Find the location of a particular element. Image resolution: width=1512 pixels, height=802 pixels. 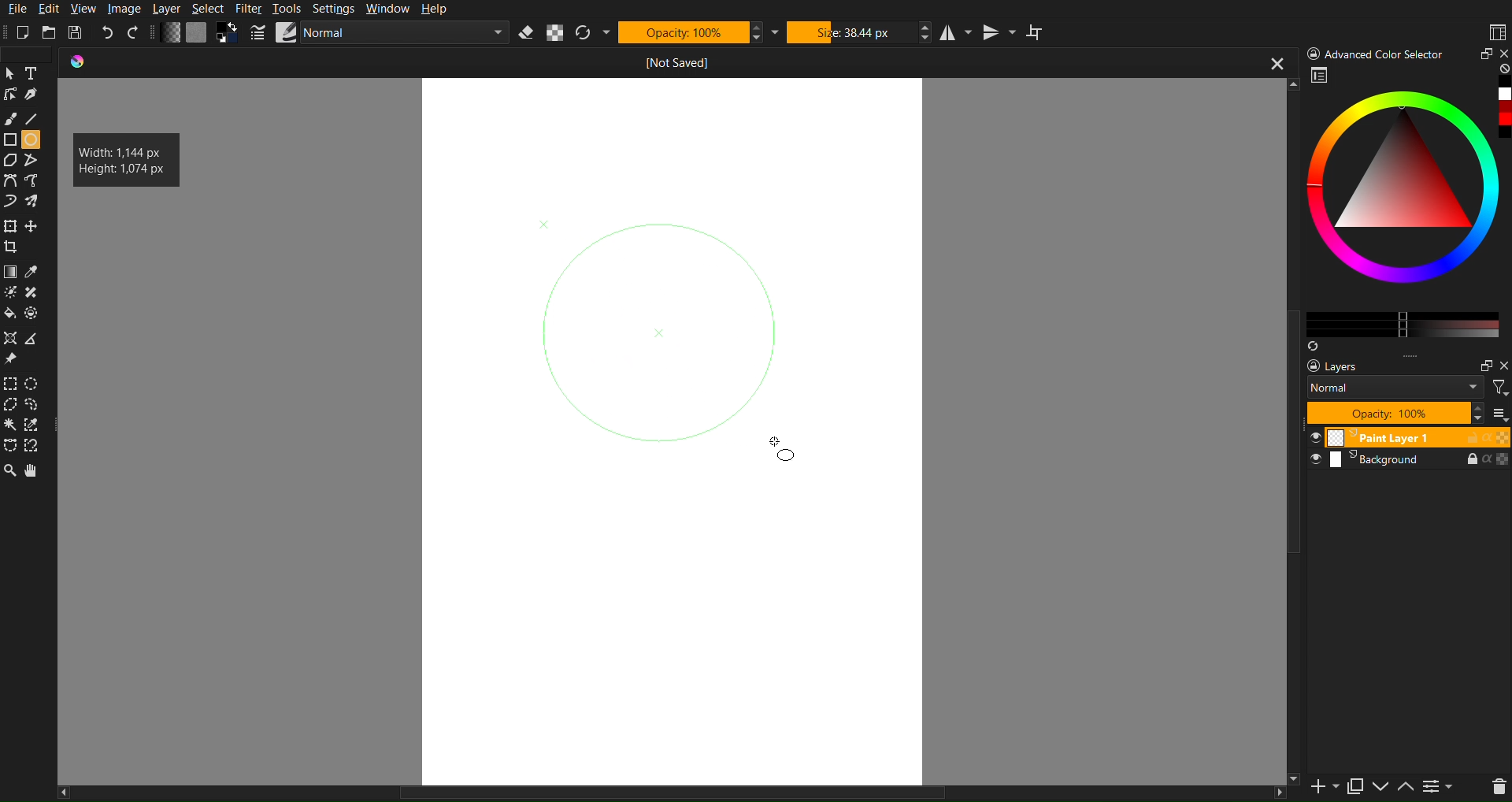

Erase is located at coordinates (524, 35).